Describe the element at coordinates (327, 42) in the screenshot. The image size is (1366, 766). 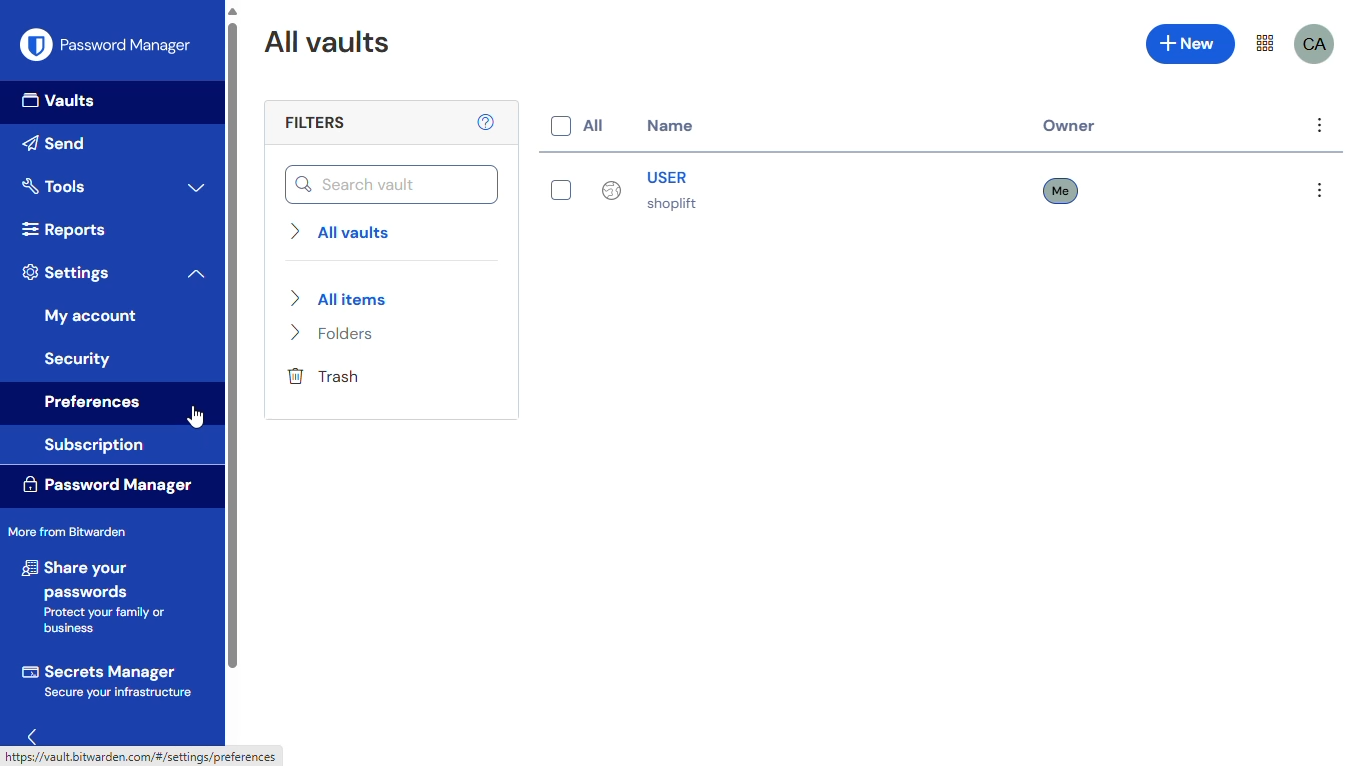
I see `All vaults` at that location.